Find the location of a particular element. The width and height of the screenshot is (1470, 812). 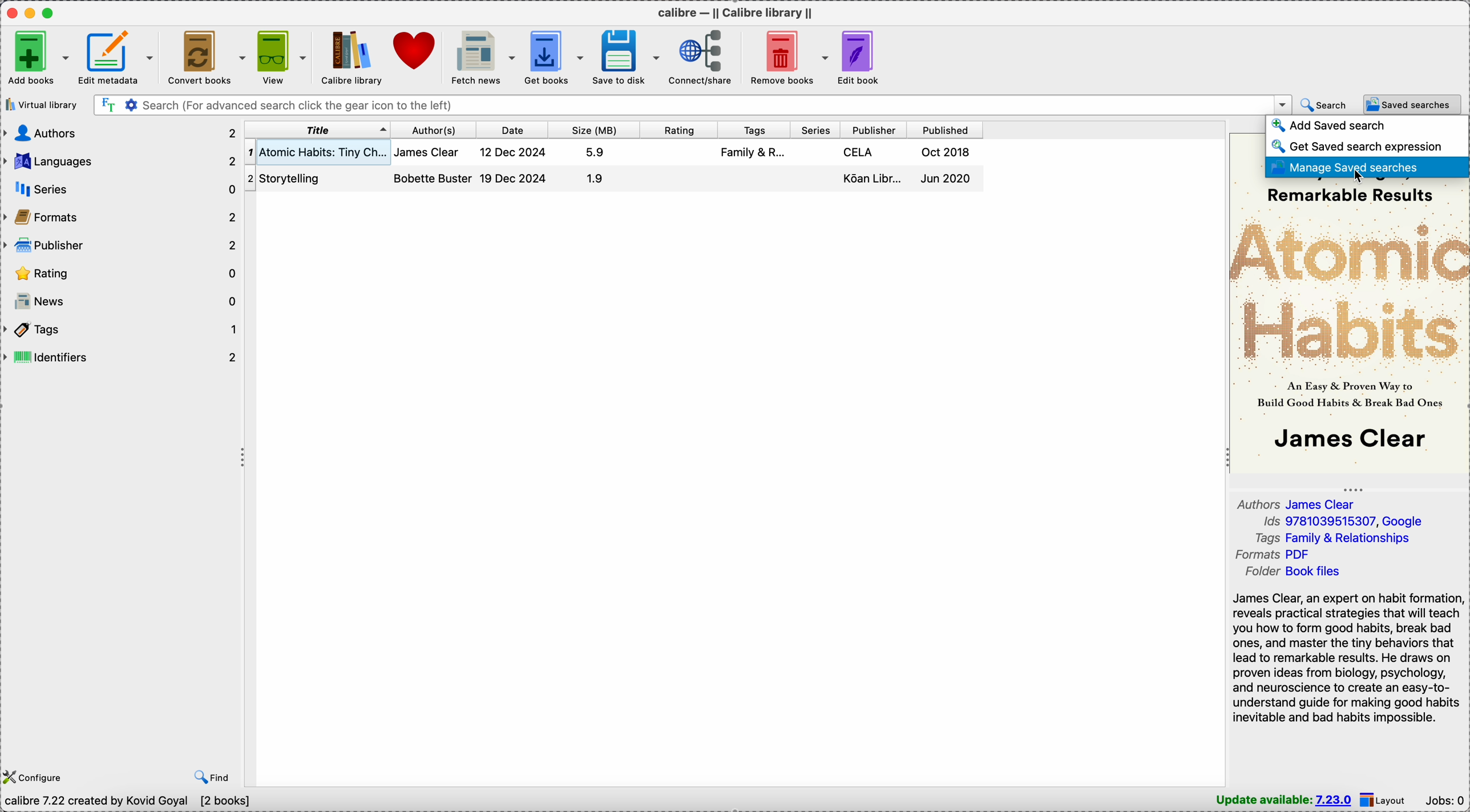

book cover preview is located at coordinates (1348, 325).